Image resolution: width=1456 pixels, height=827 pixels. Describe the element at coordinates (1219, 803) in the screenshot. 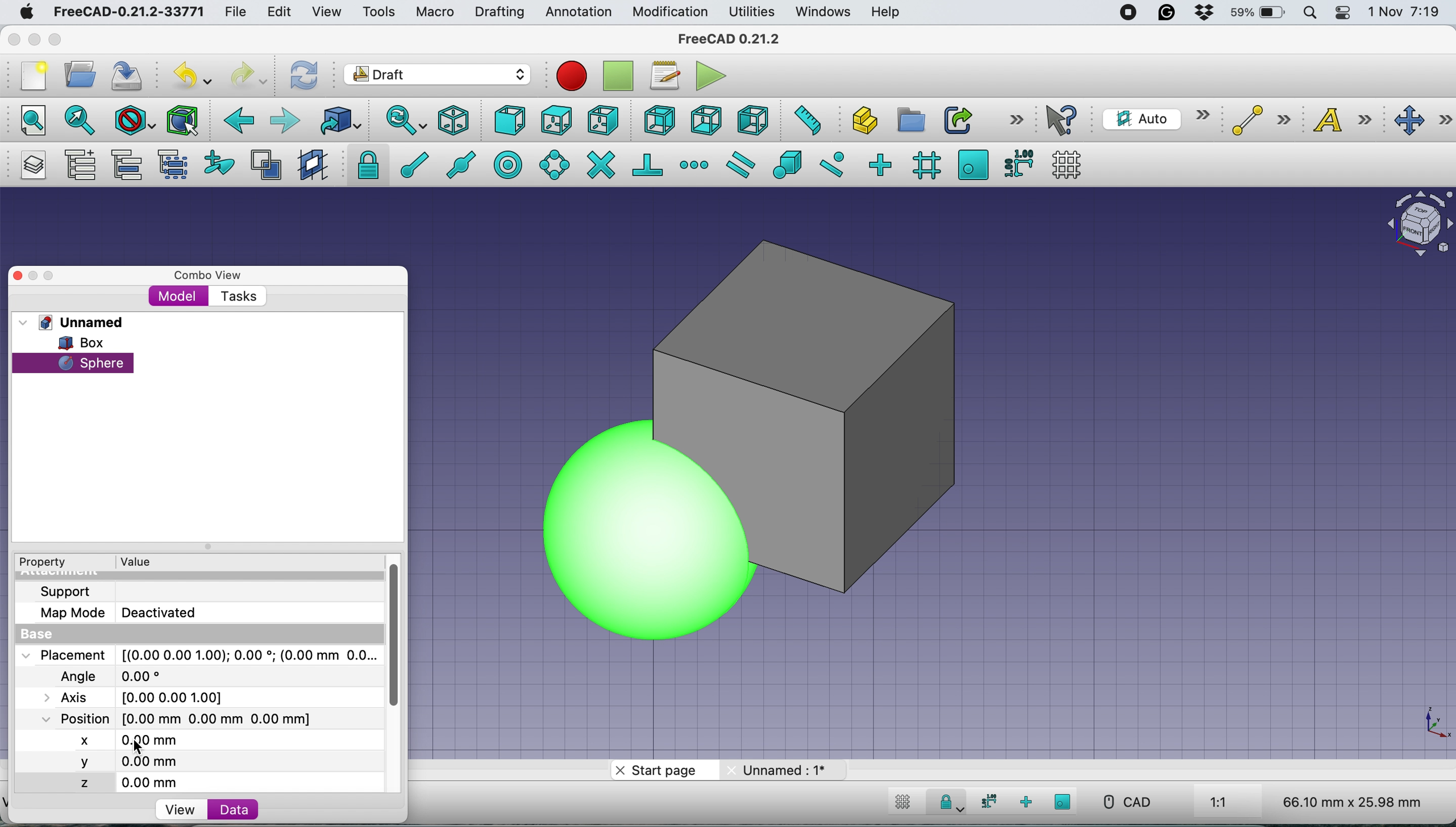

I see `aspect ratio` at that location.